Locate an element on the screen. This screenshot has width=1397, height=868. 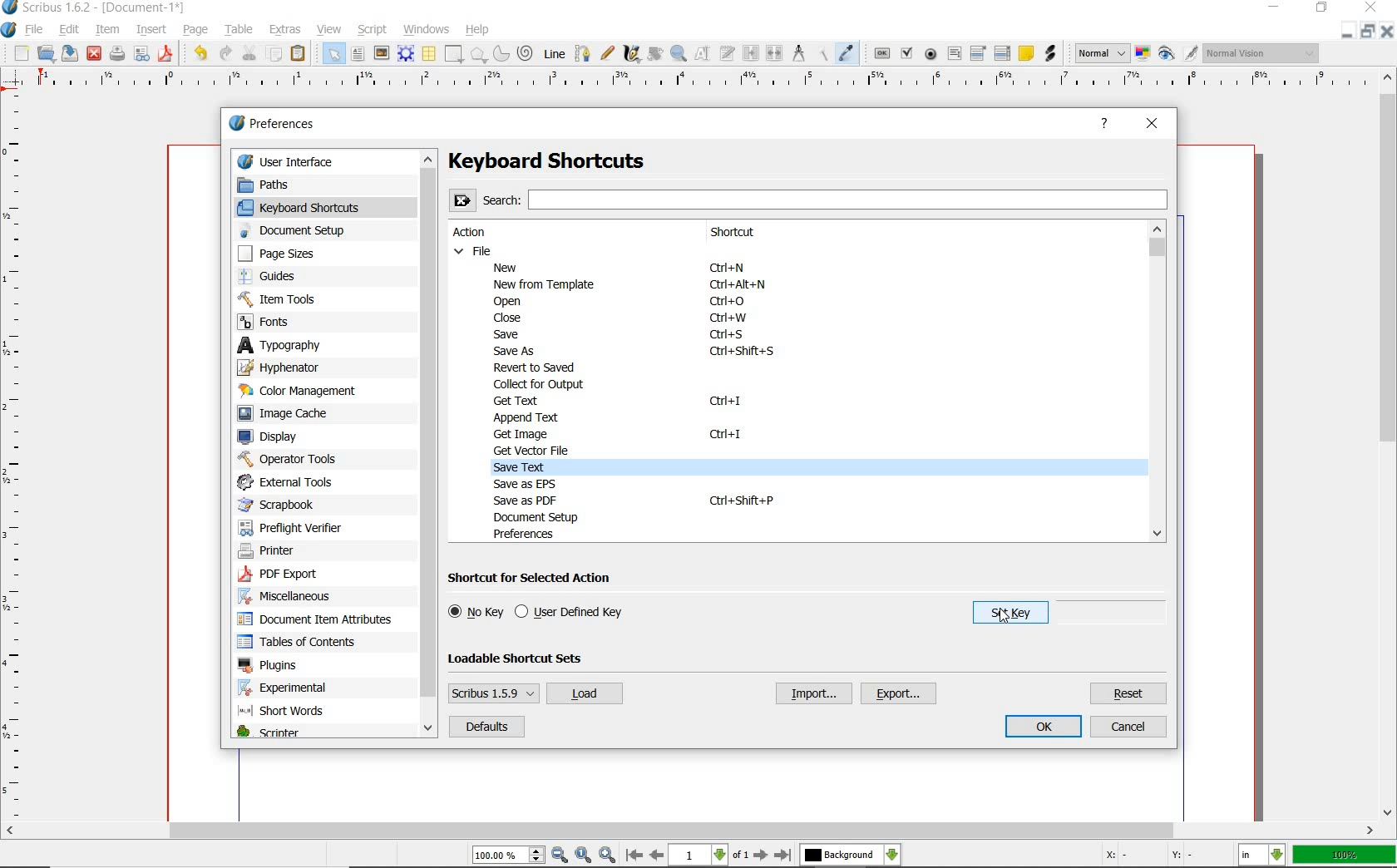
pdf list box is located at coordinates (1001, 54).